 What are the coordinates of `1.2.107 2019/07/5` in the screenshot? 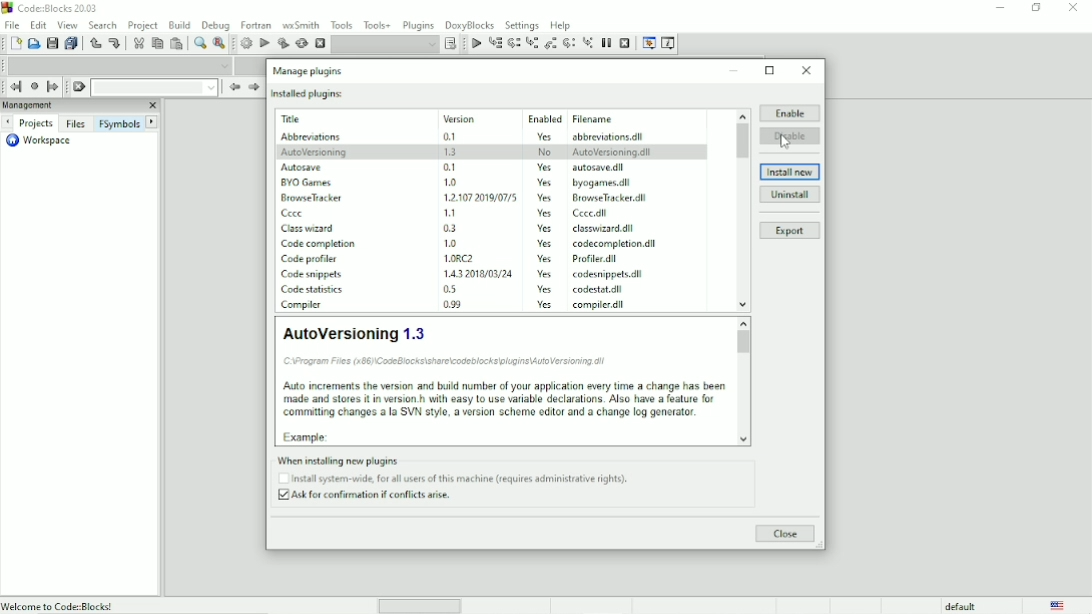 It's located at (482, 196).